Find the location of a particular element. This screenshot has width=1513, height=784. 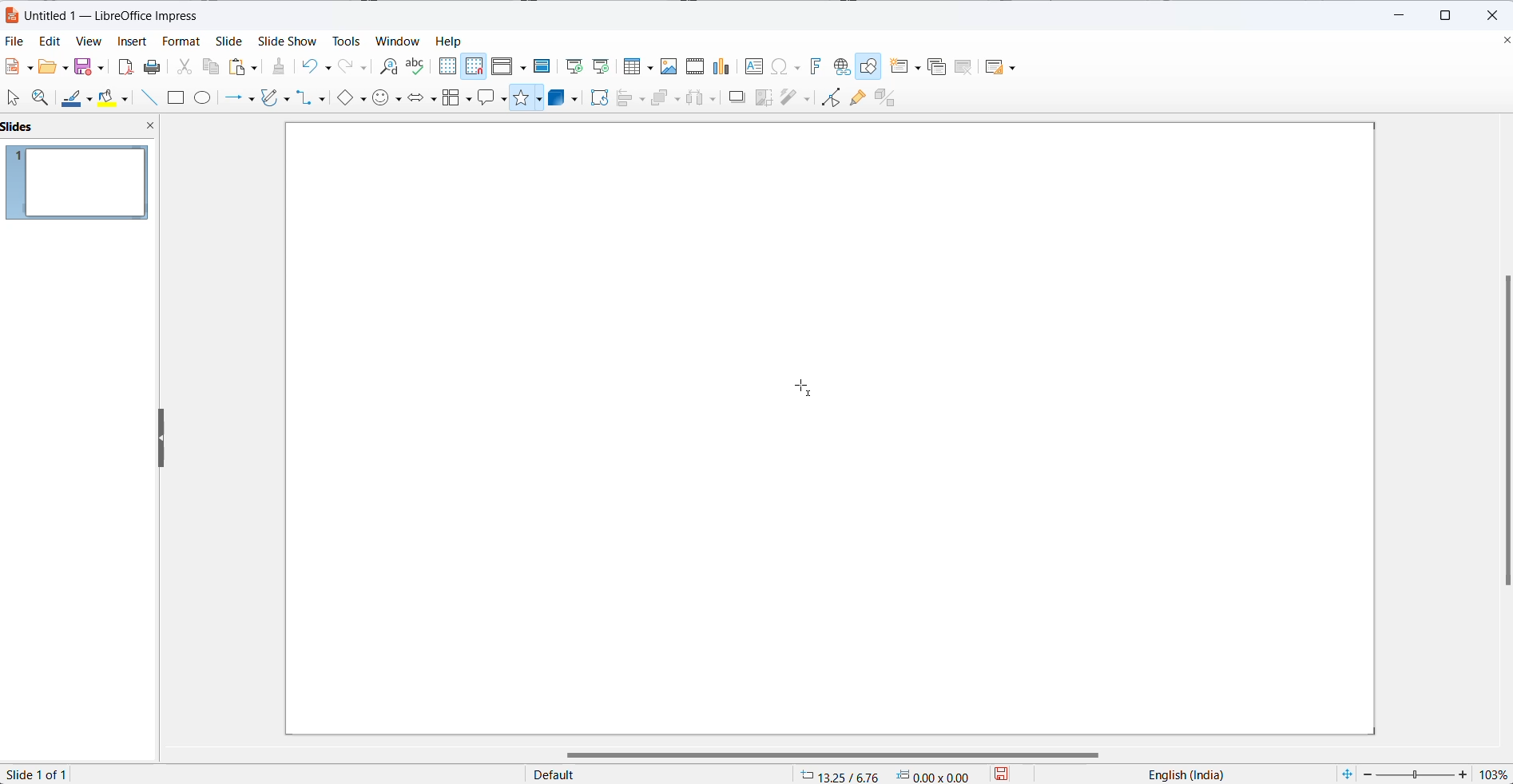

slide 1 of 1 is located at coordinates (46, 774).